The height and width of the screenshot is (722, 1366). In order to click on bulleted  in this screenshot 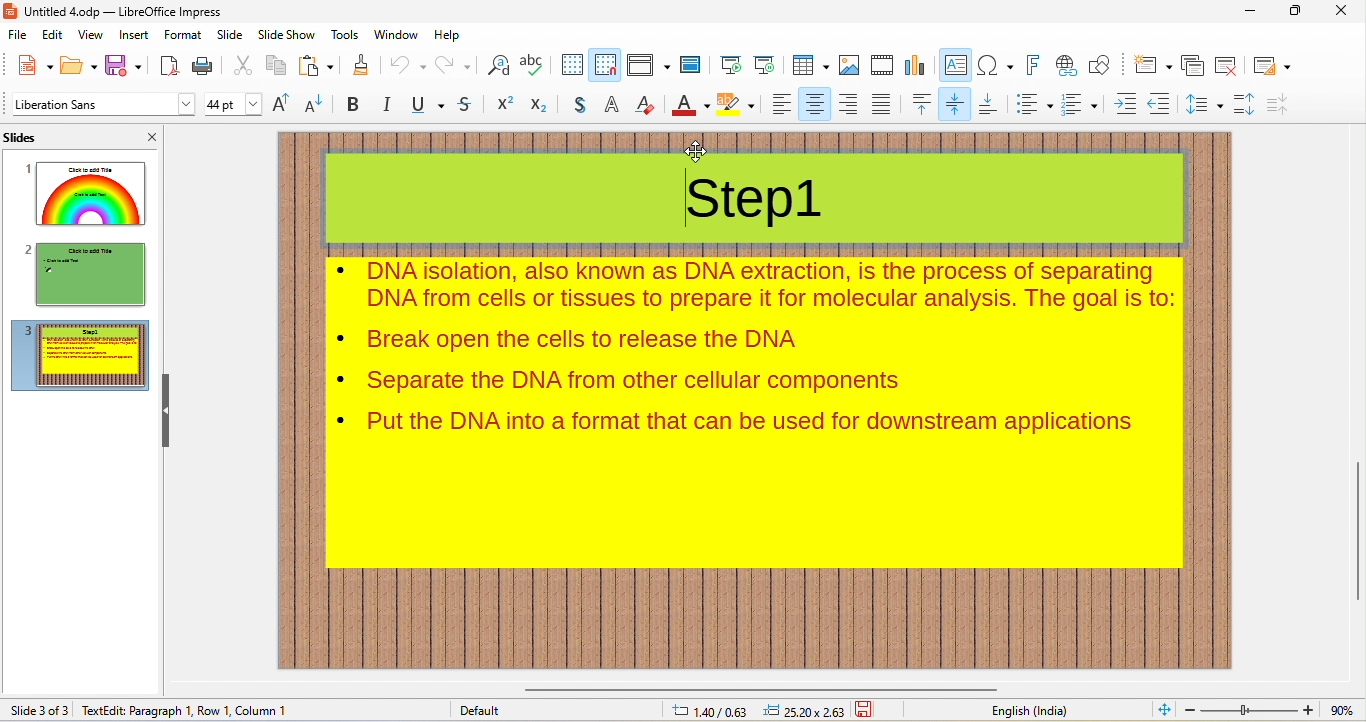, I will do `click(1032, 104)`.